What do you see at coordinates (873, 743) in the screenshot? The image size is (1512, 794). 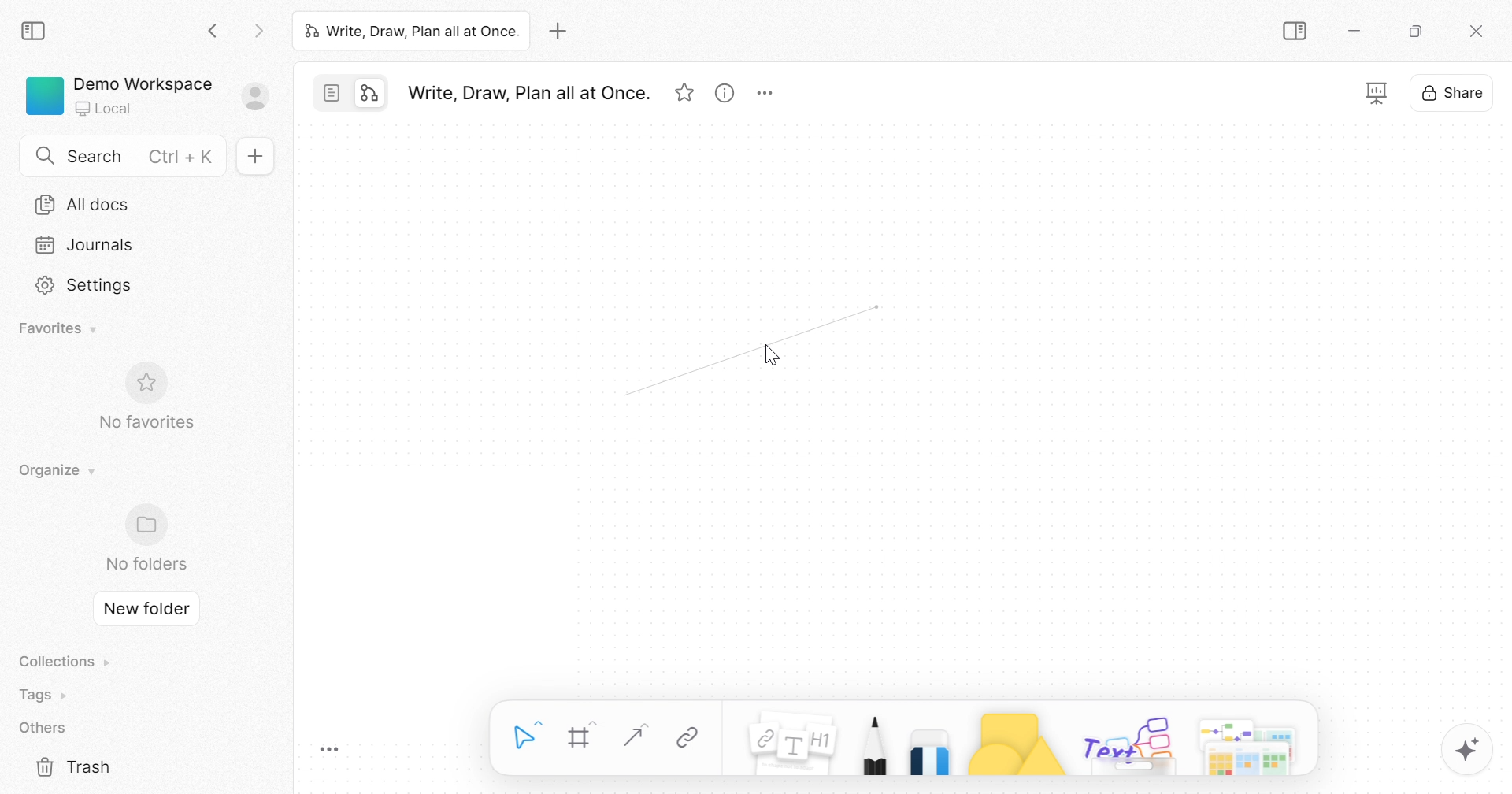 I see `Pen` at bounding box center [873, 743].